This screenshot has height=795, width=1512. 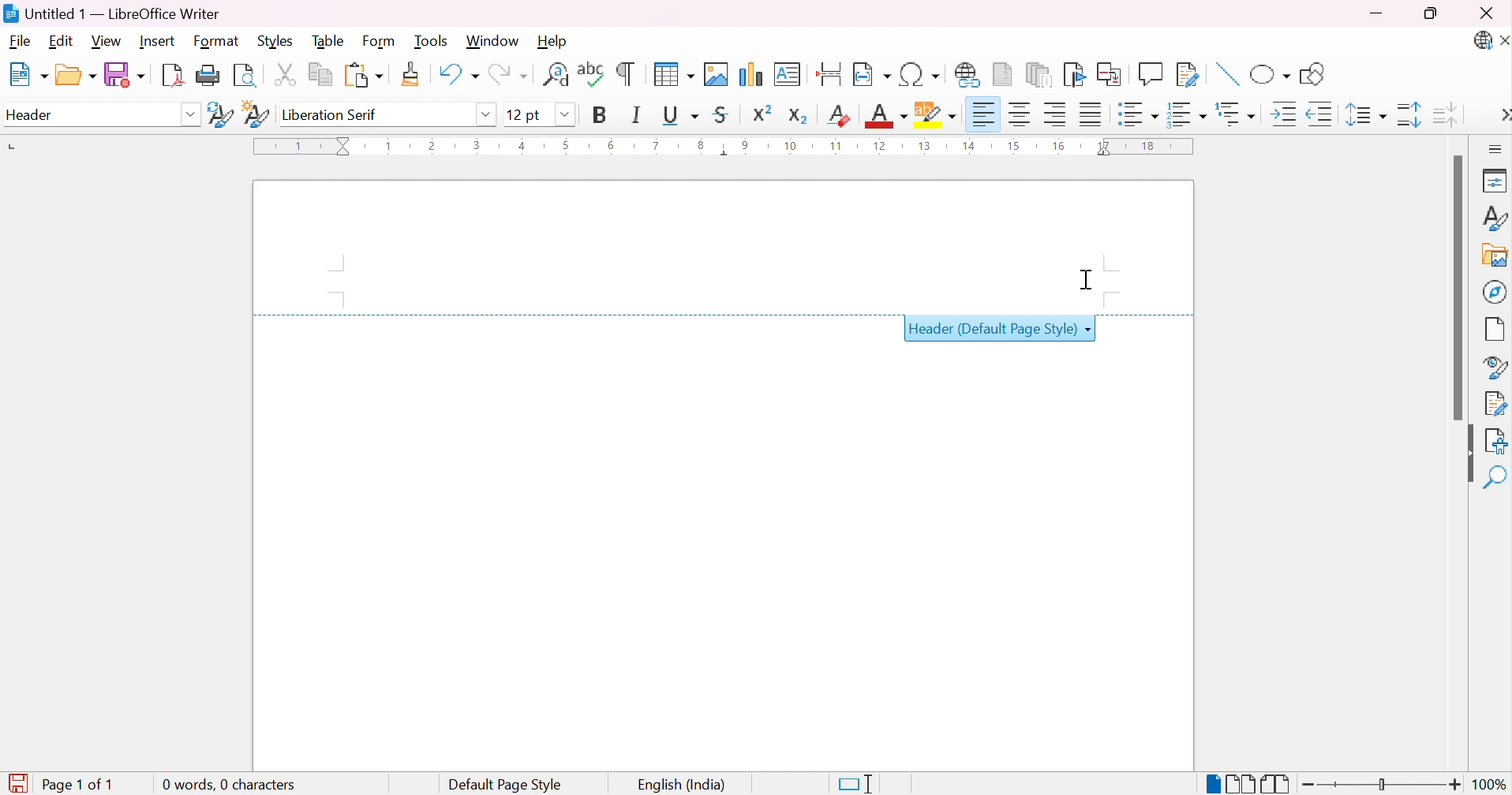 What do you see at coordinates (156, 41) in the screenshot?
I see `Insert` at bounding box center [156, 41].